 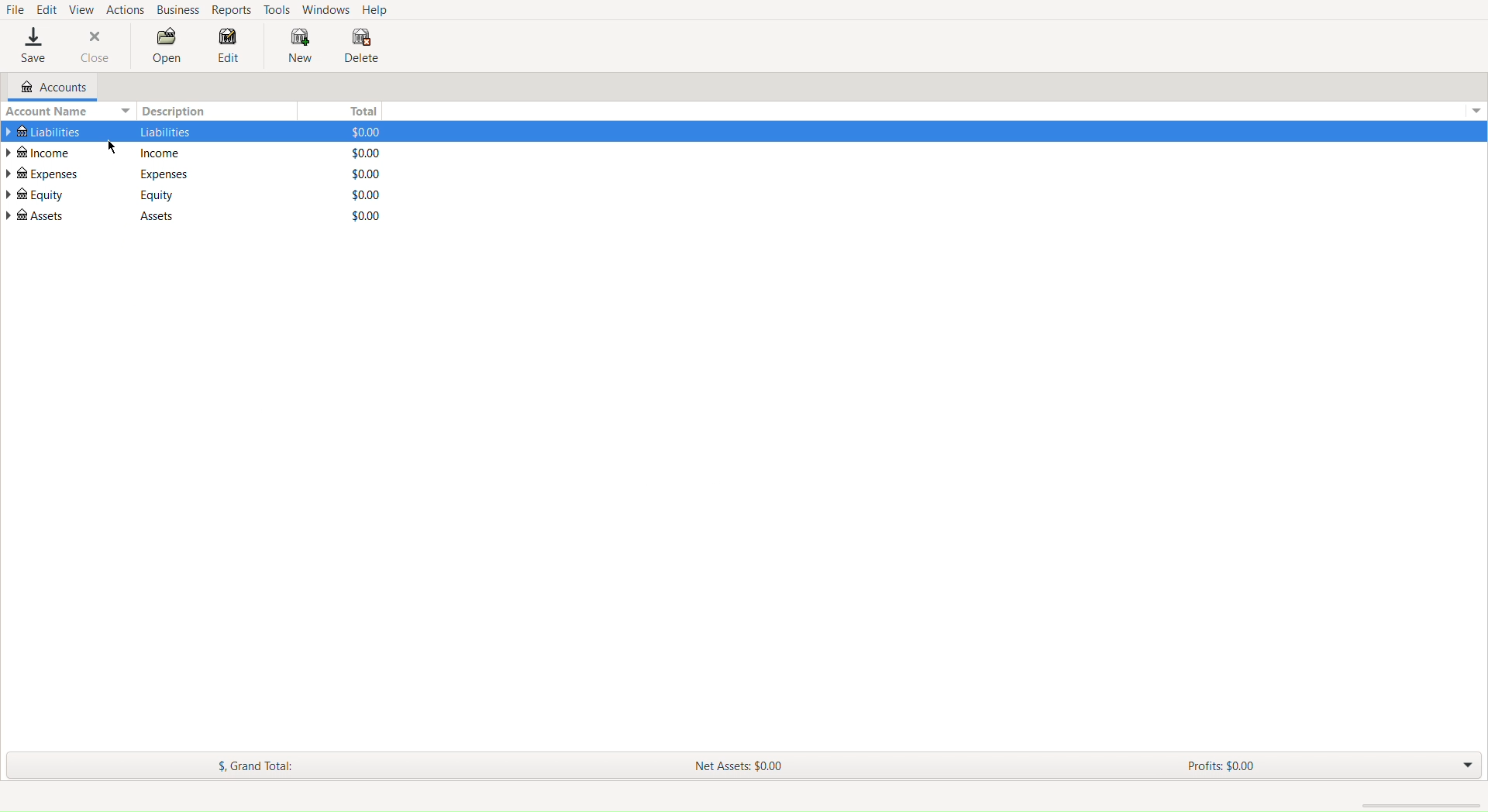 I want to click on View, so click(x=83, y=9).